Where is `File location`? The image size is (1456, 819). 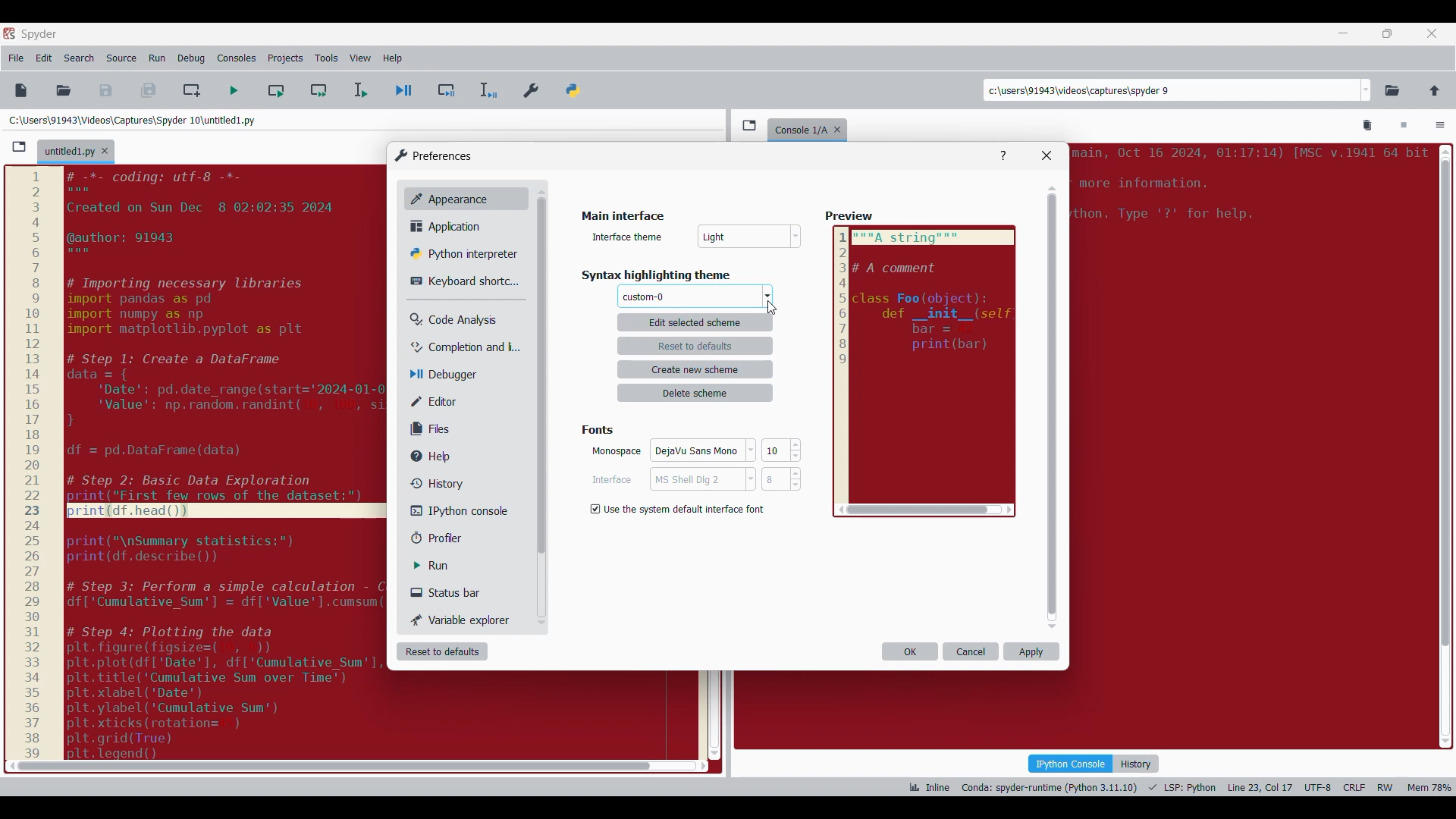 File location is located at coordinates (132, 120).